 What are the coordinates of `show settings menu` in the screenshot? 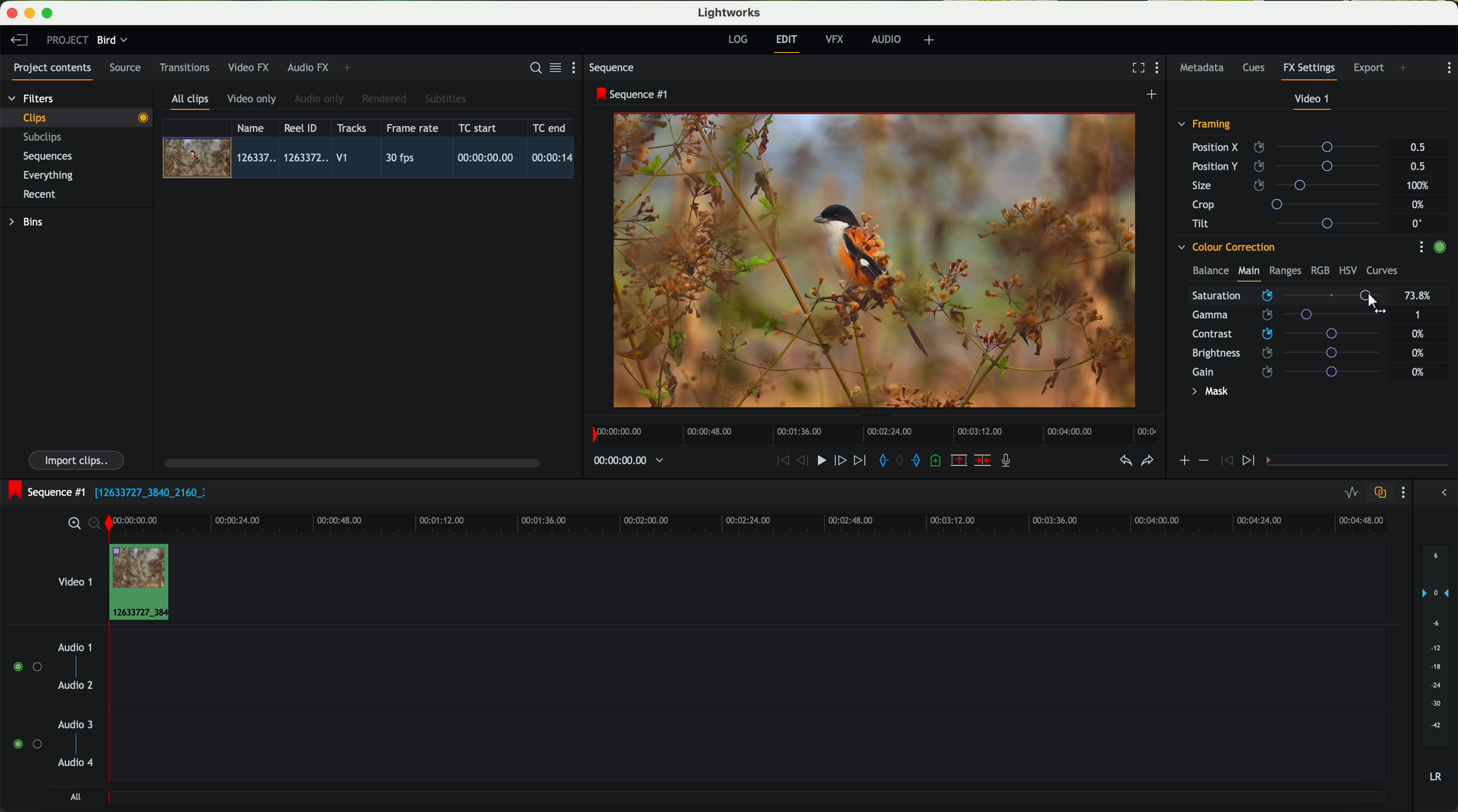 It's located at (1402, 492).